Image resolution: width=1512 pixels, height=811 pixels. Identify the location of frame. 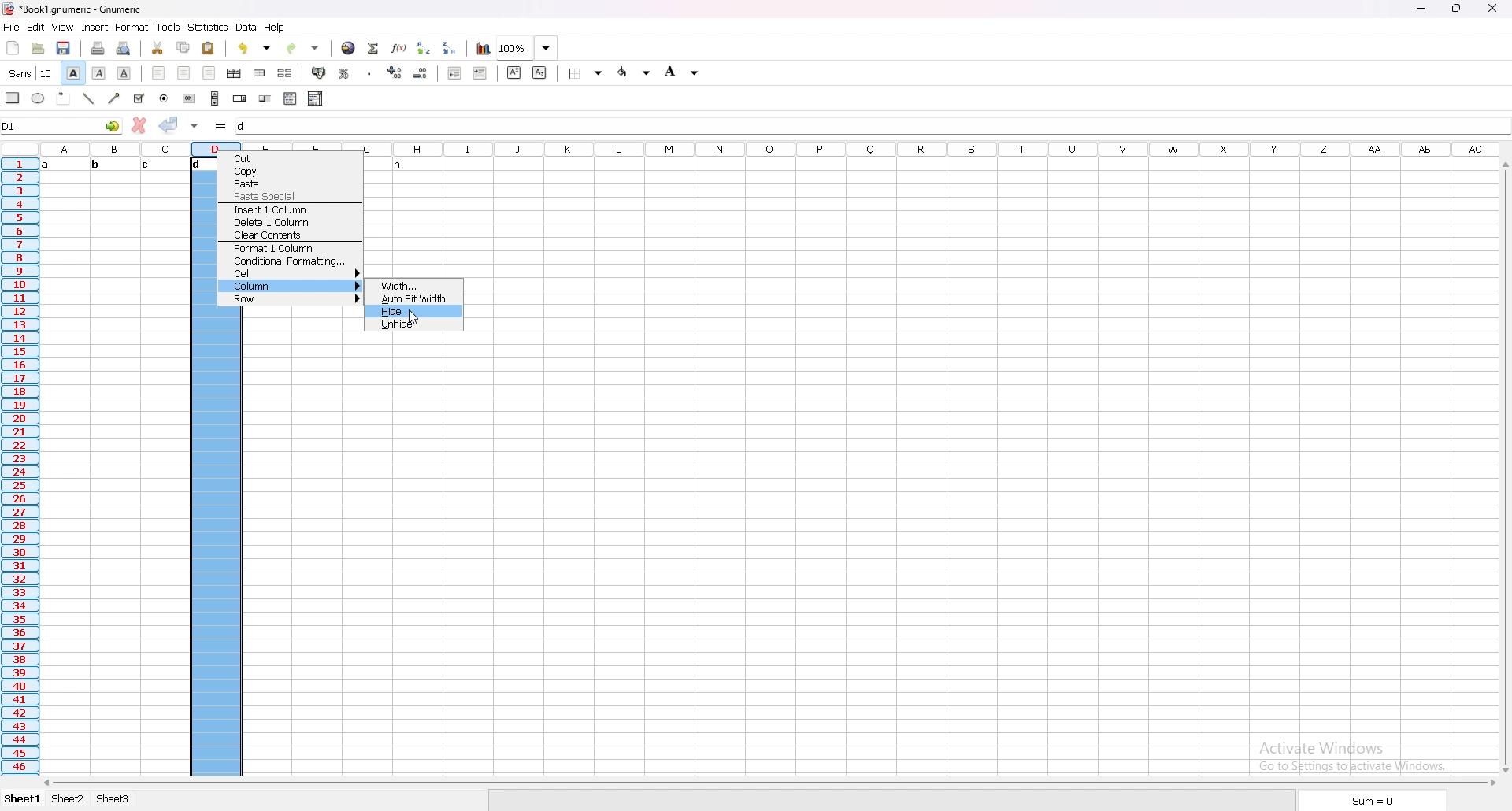
(65, 99).